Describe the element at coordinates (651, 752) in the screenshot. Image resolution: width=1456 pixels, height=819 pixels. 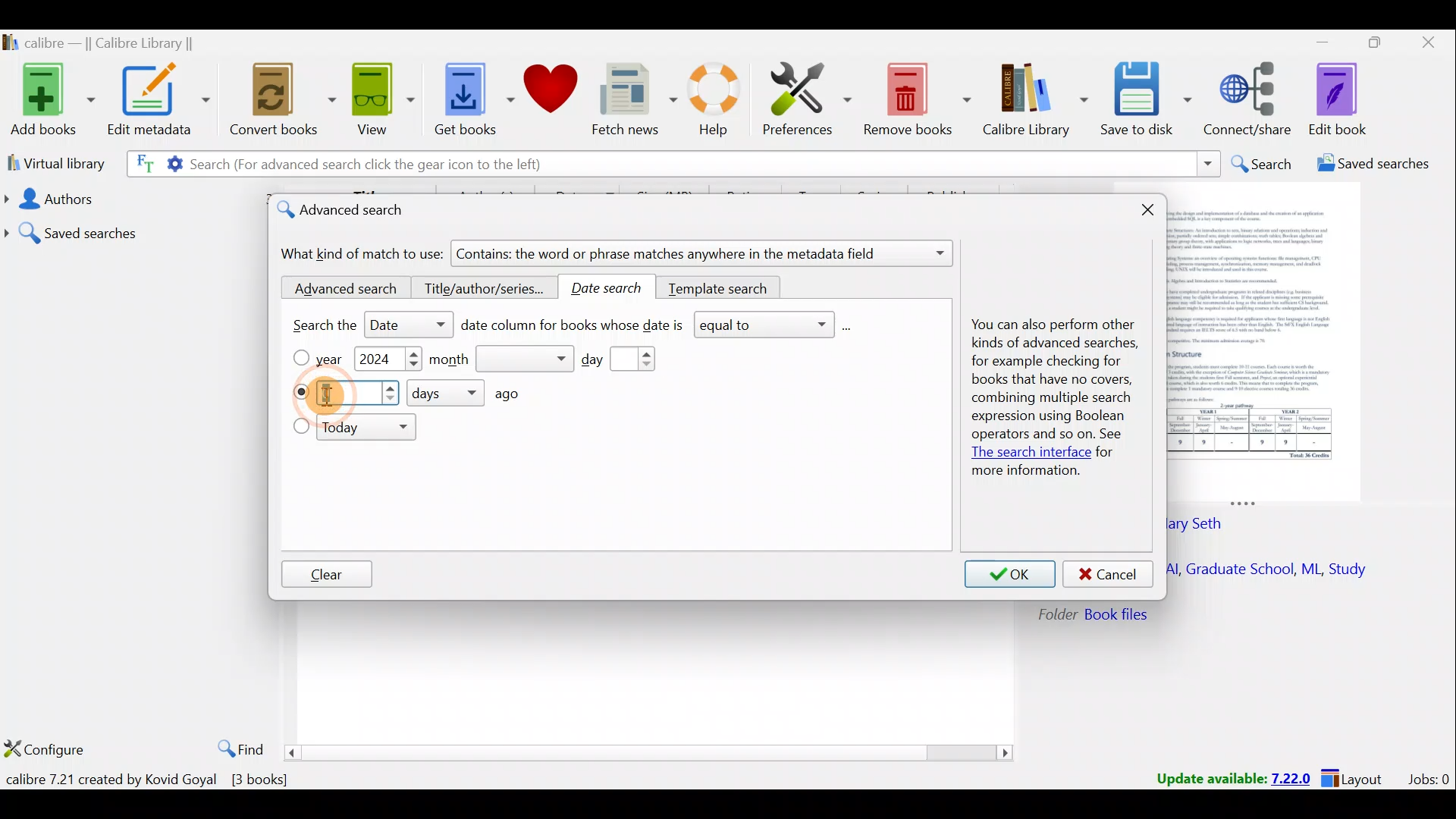
I see `Scroll bar` at that location.